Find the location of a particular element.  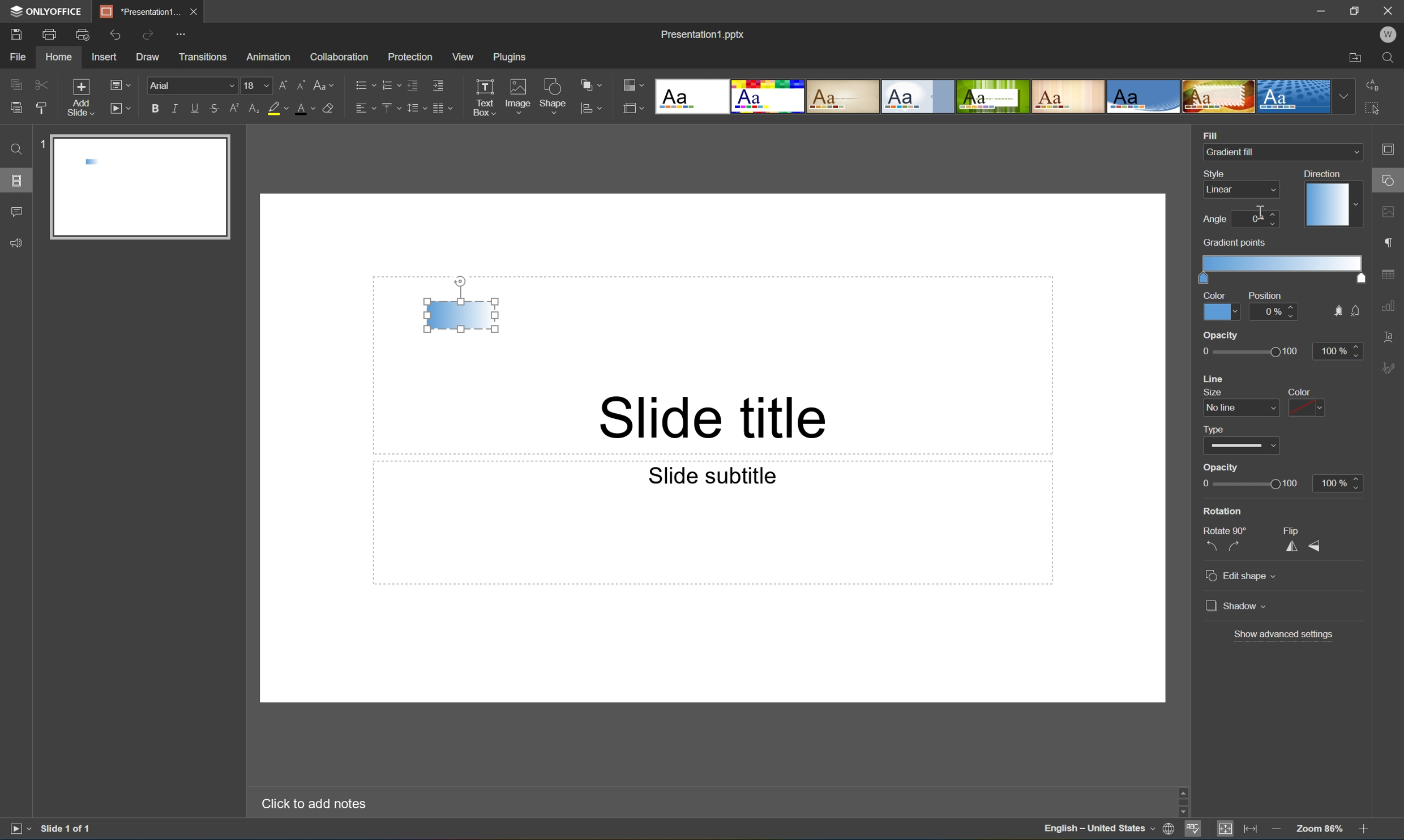

Bullets is located at coordinates (362, 83).